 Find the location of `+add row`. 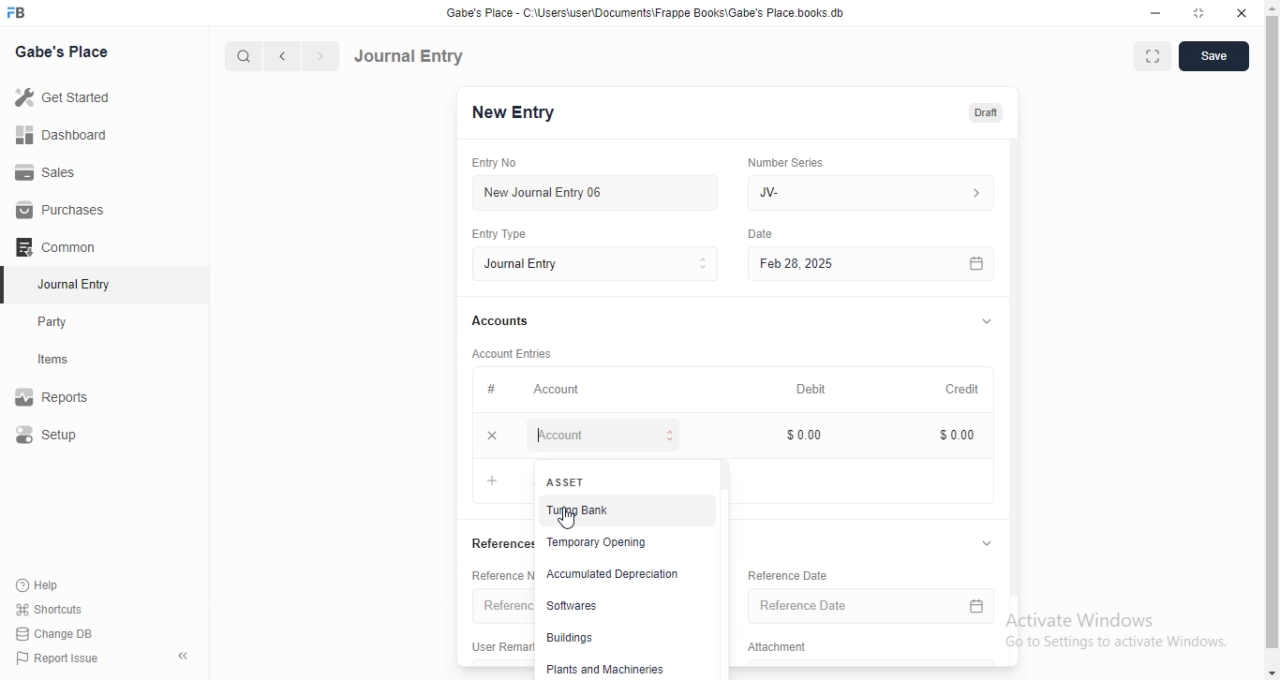

+add row is located at coordinates (493, 479).